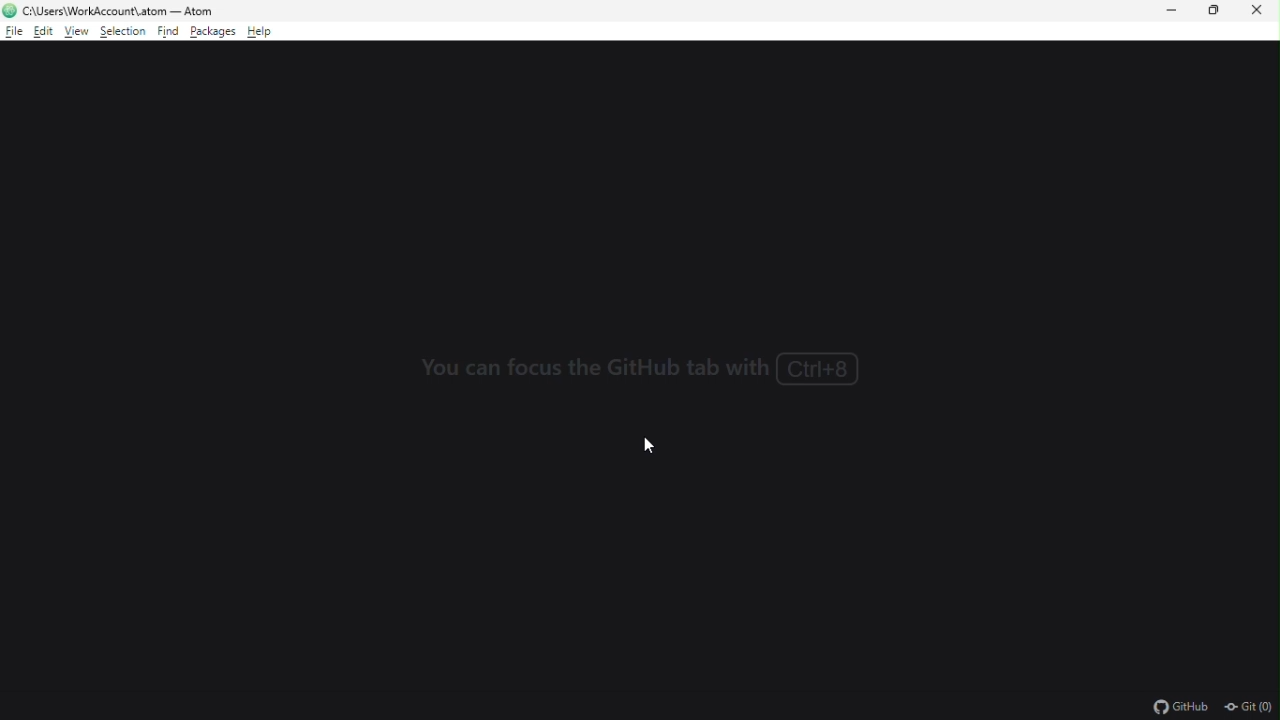 The image size is (1280, 720). What do you see at coordinates (649, 370) in the screenshot?
I see `You can focus the GitHub tab with ctrl+8` at bounding box center [649, 370].